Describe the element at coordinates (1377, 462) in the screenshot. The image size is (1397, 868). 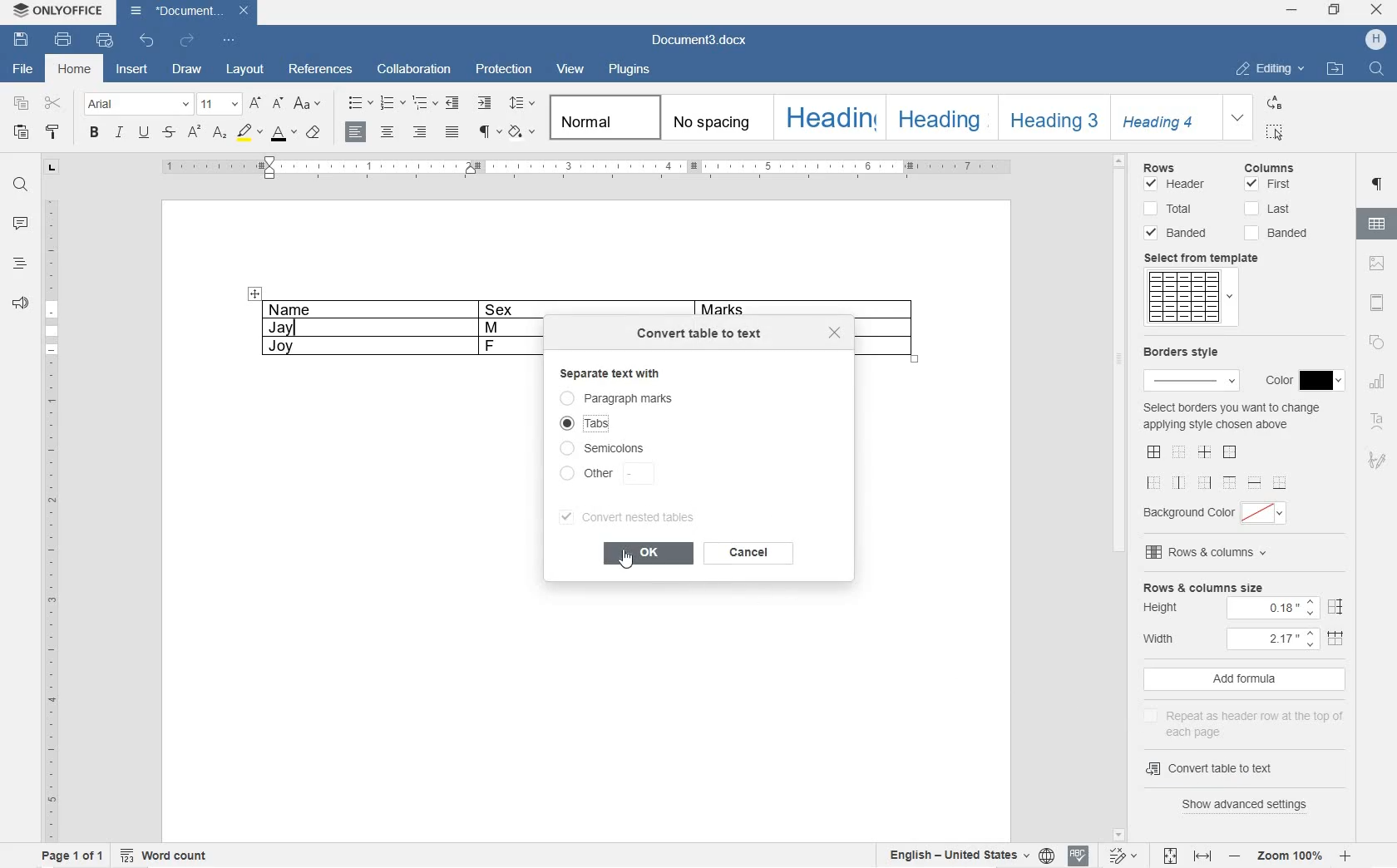
I see `SIGNATURE` at that location.